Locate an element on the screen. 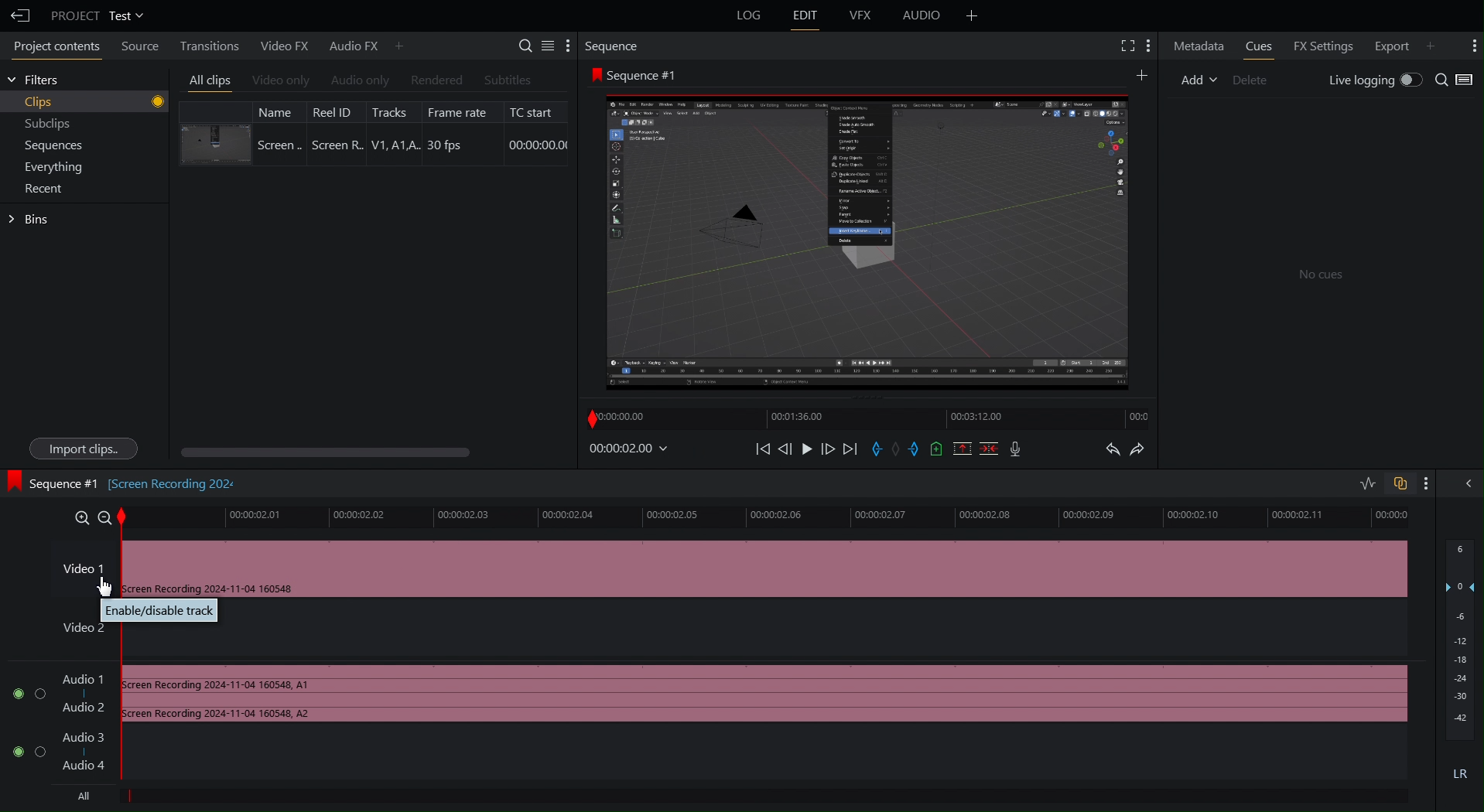 The width and height of the screenshot is (1484, 812). Live Logging is located at coordinates (1371, 80).